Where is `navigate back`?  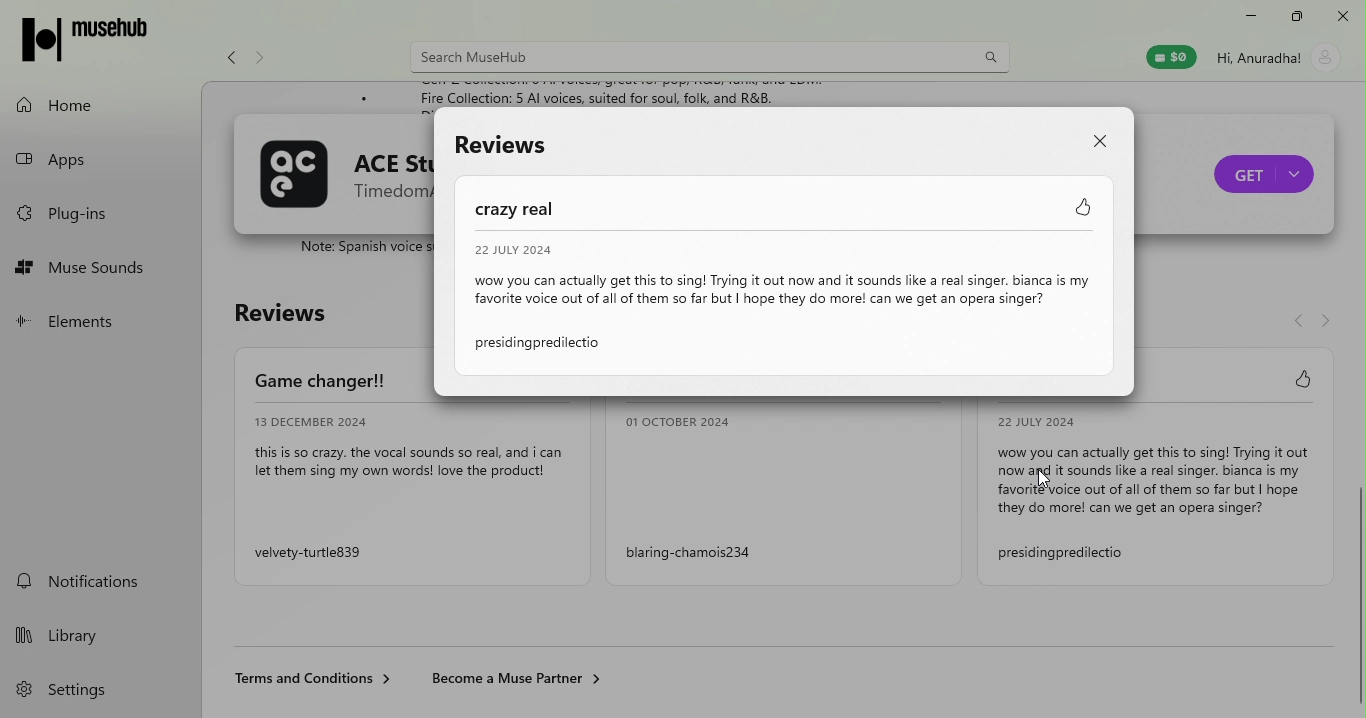
navigate back is located at coordinates (1295, 322).